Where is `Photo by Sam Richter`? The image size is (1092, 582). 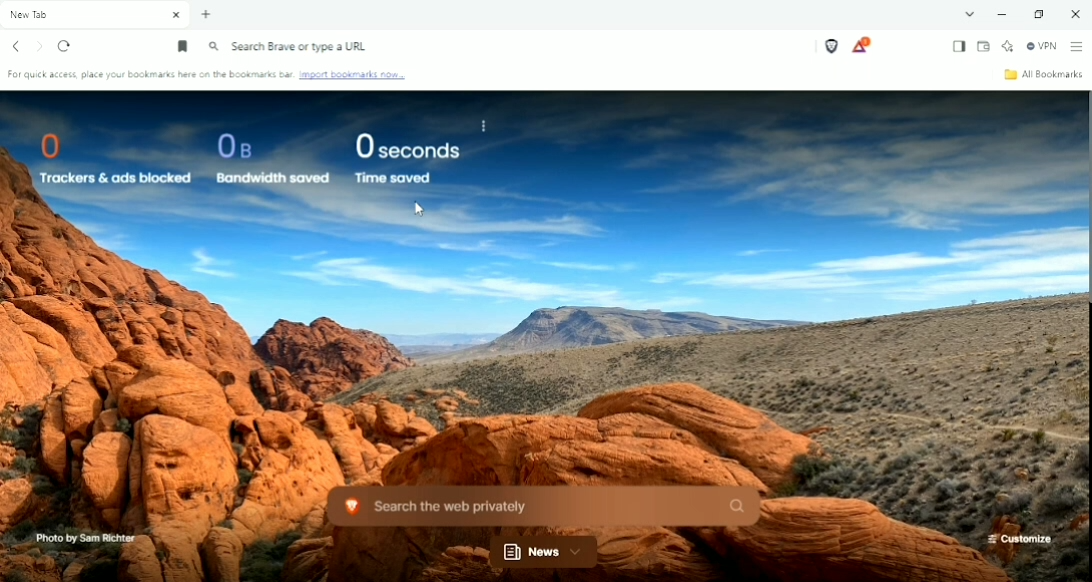 Photo by Sam Richter is located at coordinates (83, 538).